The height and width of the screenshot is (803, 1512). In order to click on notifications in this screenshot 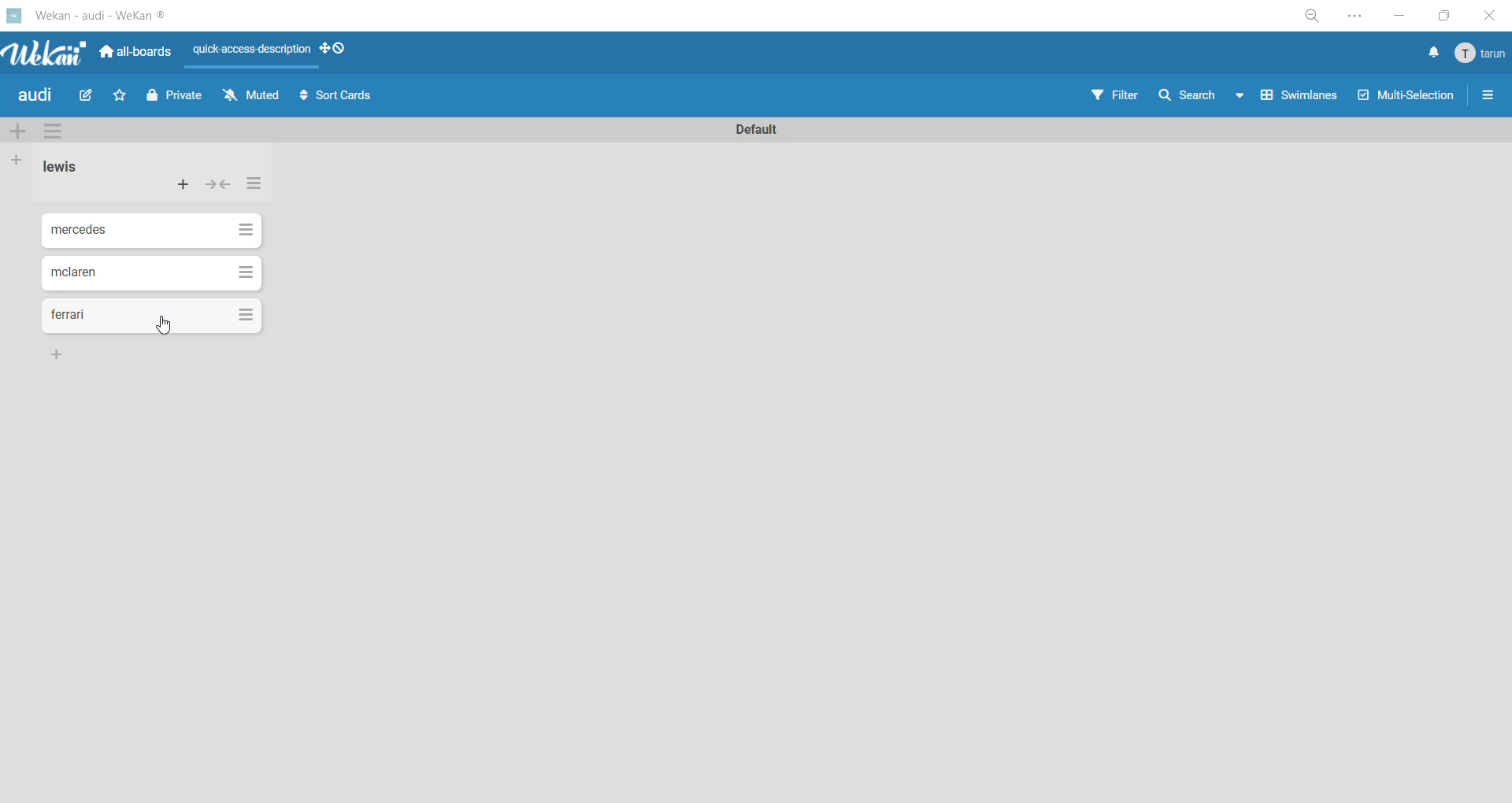, I will do `click(1432, 54)`.